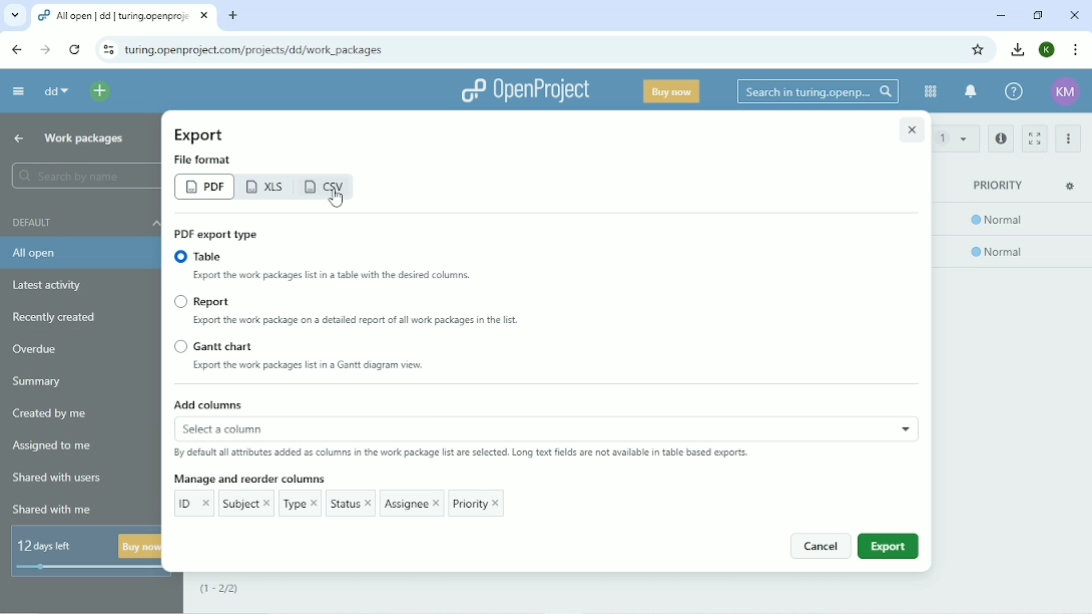  I want to click on Normal, so click(999, 253).